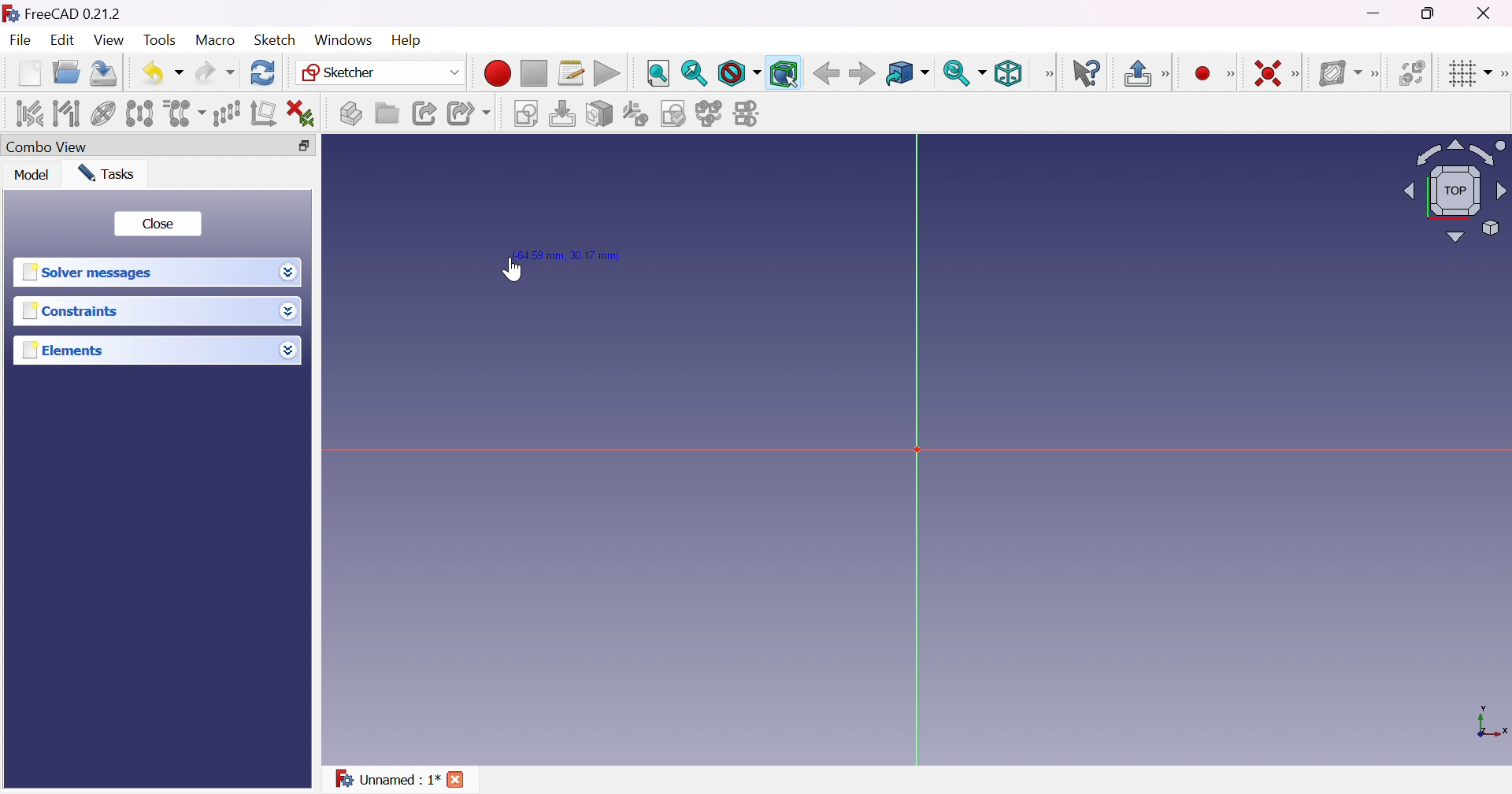  What do you see at coordinates (63, 40) in the screenshot?
I see `Edit` at bounding box center [63, 40].